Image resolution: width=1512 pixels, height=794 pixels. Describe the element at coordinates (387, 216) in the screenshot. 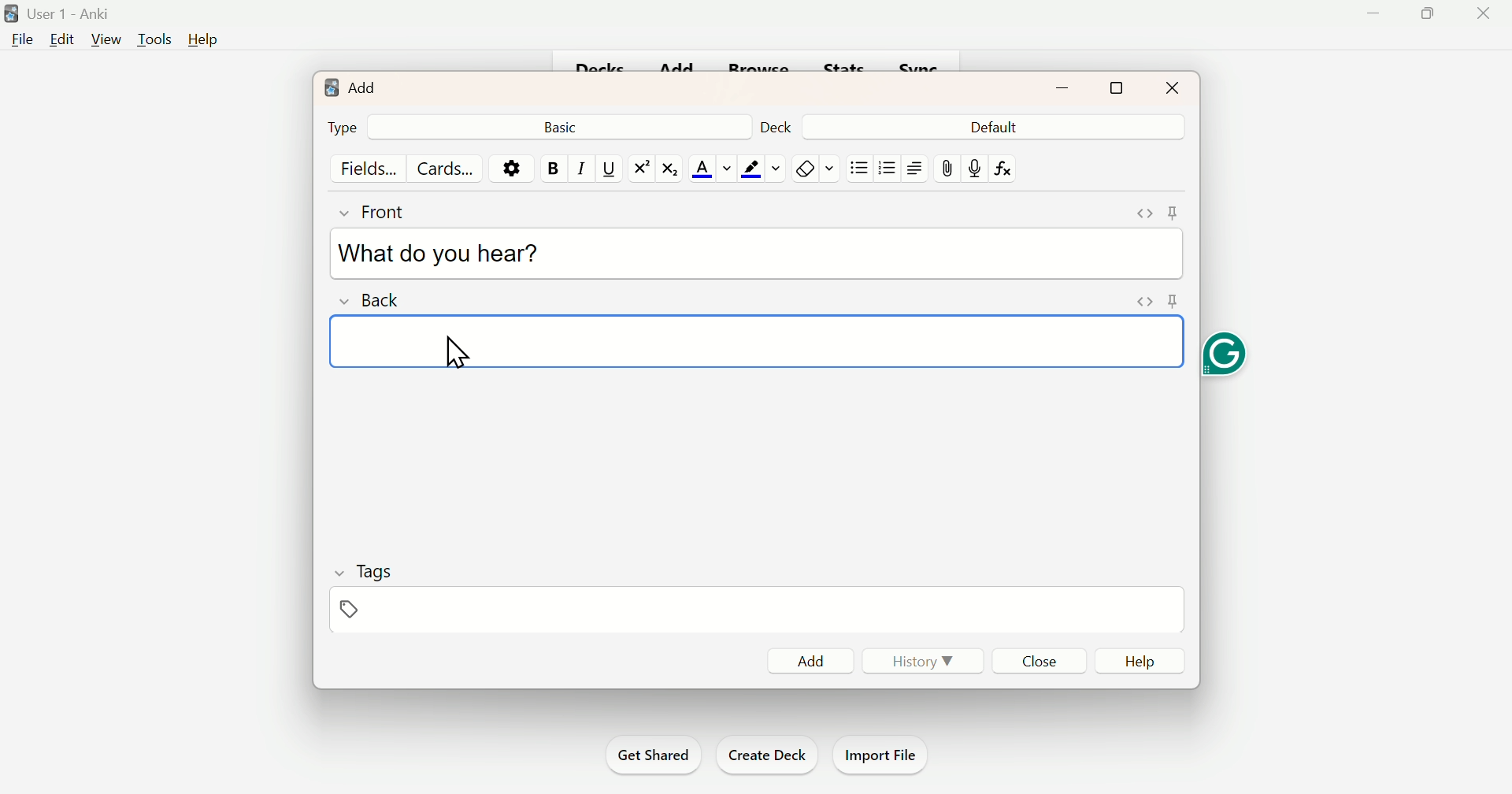

I see `Front` at that location.